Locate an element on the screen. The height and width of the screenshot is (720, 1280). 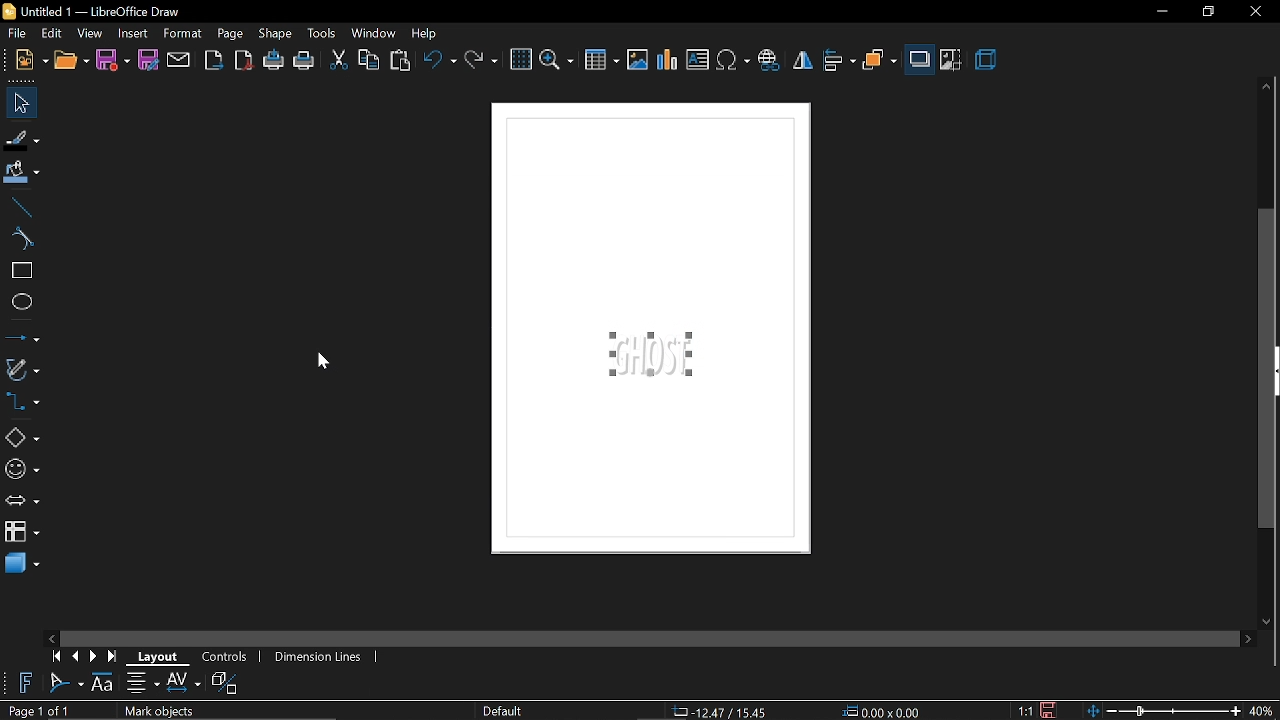
copy is located at coordinates (370, 60).